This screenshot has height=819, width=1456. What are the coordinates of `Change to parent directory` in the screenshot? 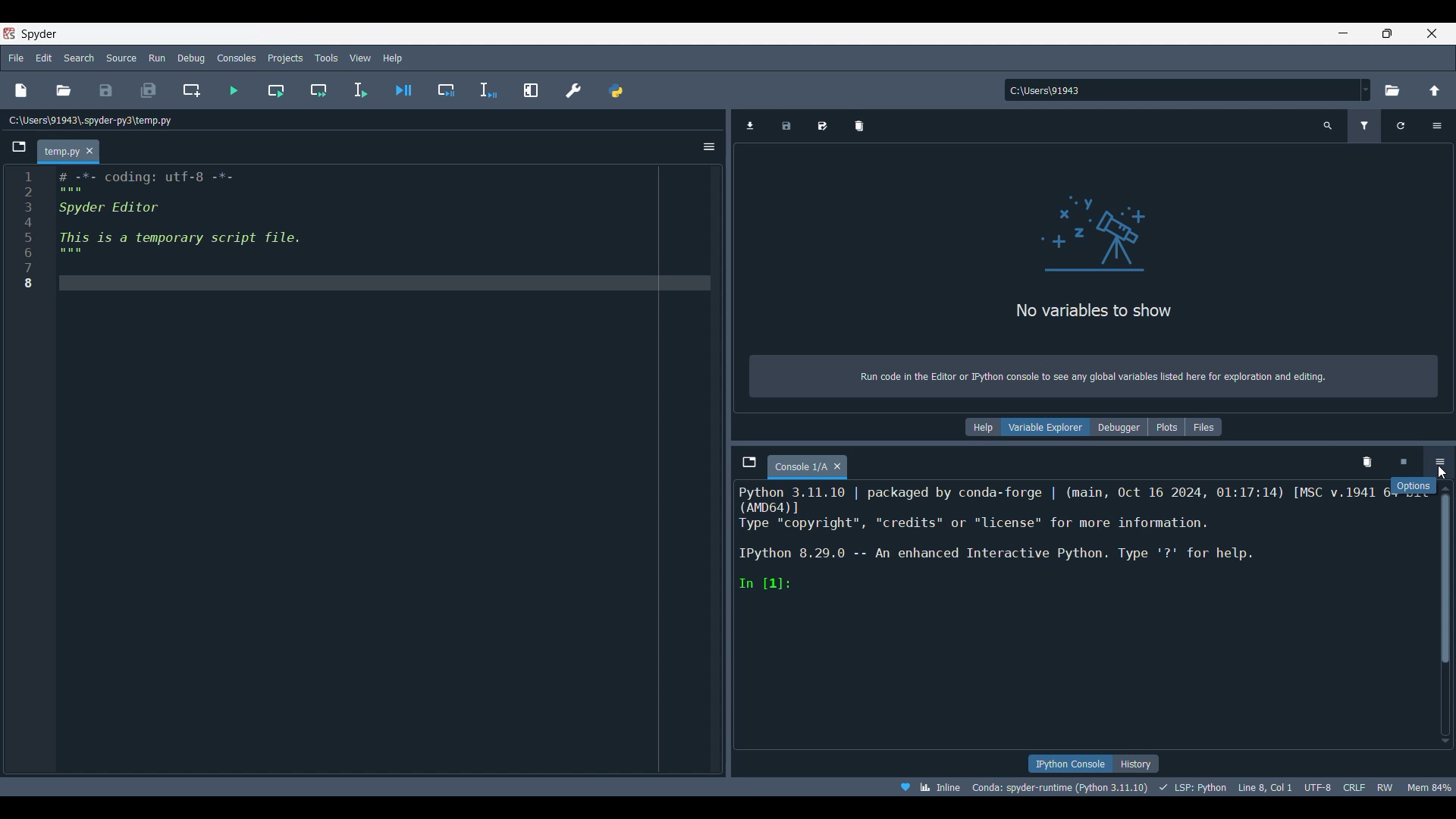 It's located at (1434, 90).